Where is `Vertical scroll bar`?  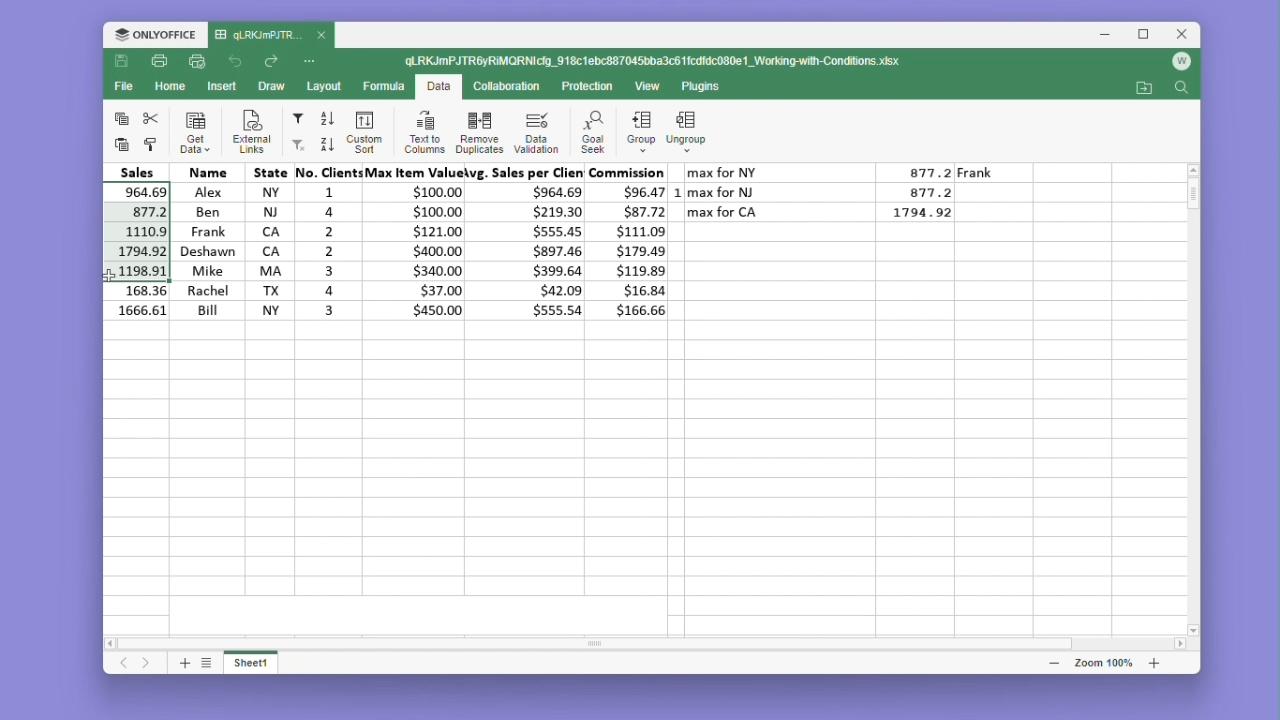
Vertical scroll bar is located at coordinates (1195, 205).